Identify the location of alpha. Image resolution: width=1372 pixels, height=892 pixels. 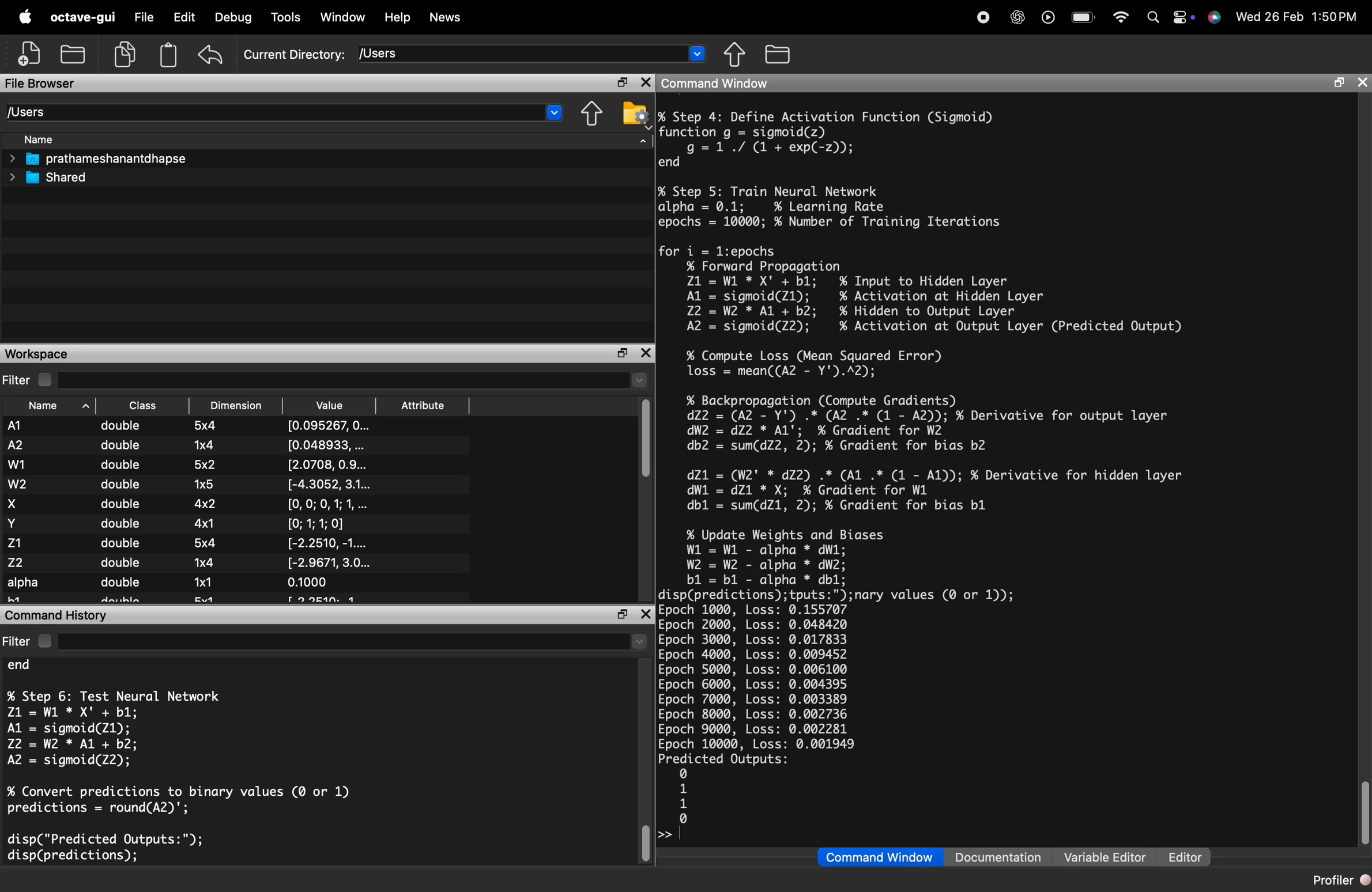
(24, 584).